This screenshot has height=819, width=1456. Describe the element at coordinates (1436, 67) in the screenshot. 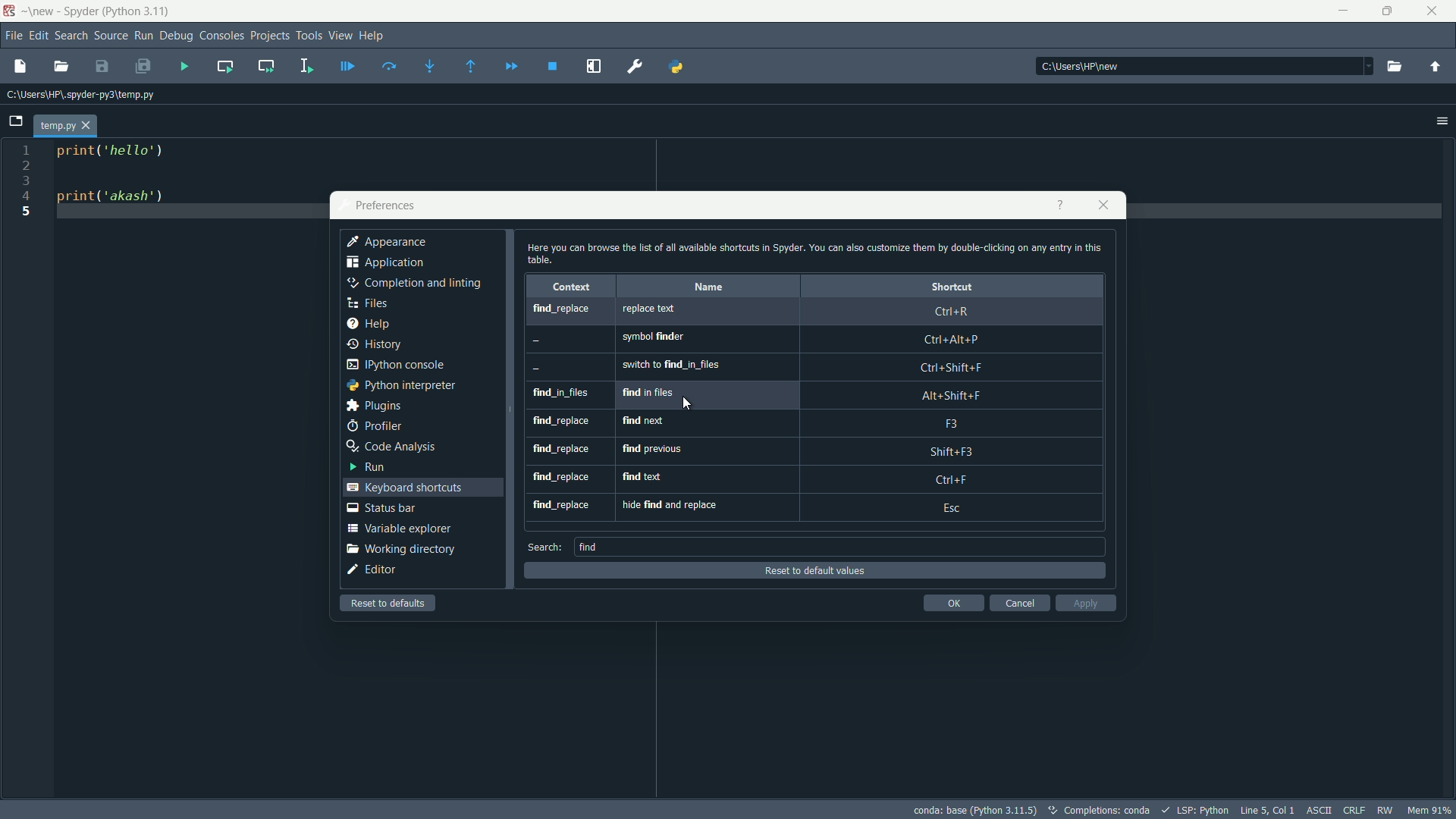

I see `open parent directory` at that location.